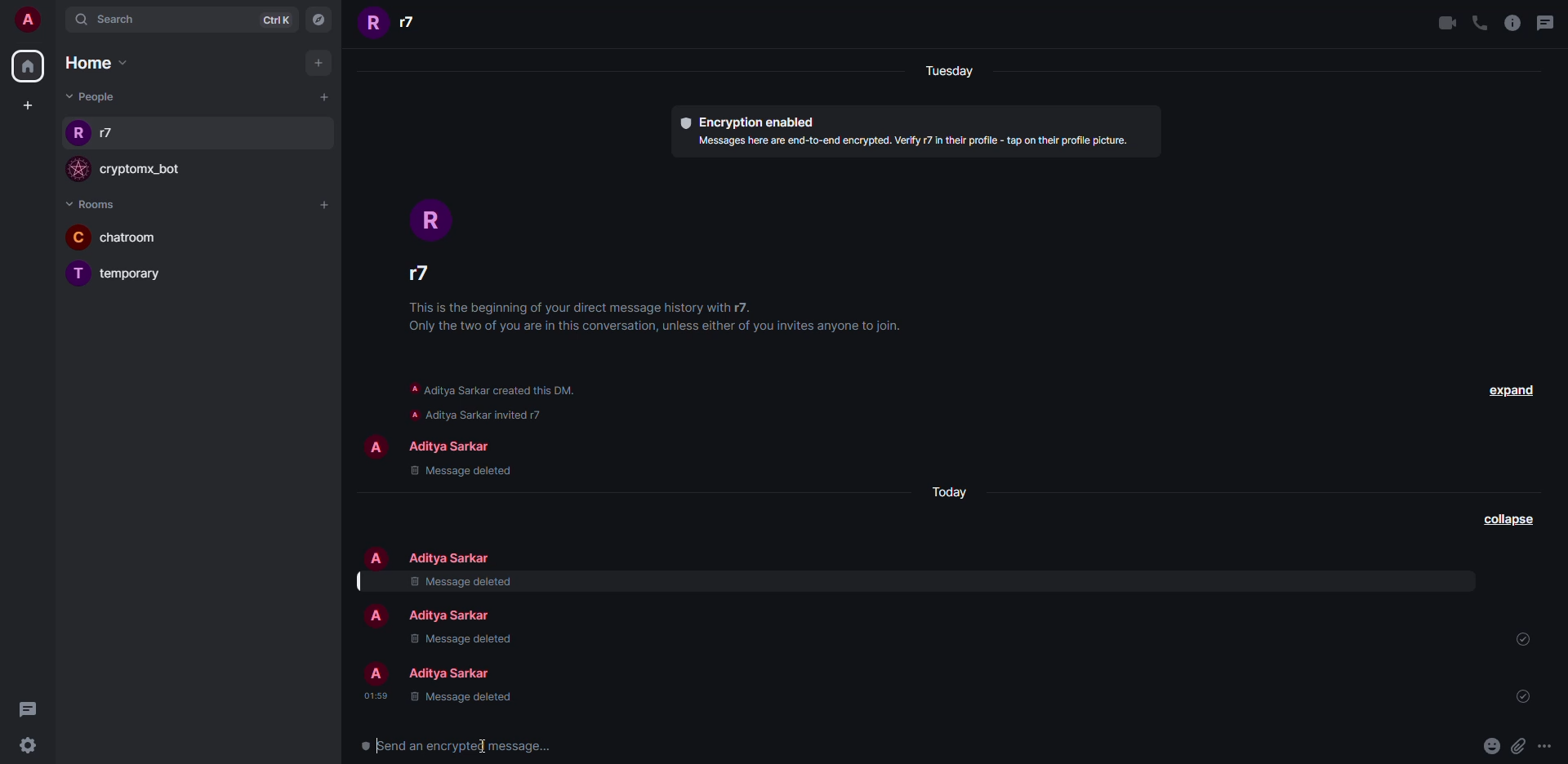 This screenshot has height=764, width=1568. What do you see at coordinates (1547, 20) in the screenshot?
I see `threads` at bounding box center [1547, 20].